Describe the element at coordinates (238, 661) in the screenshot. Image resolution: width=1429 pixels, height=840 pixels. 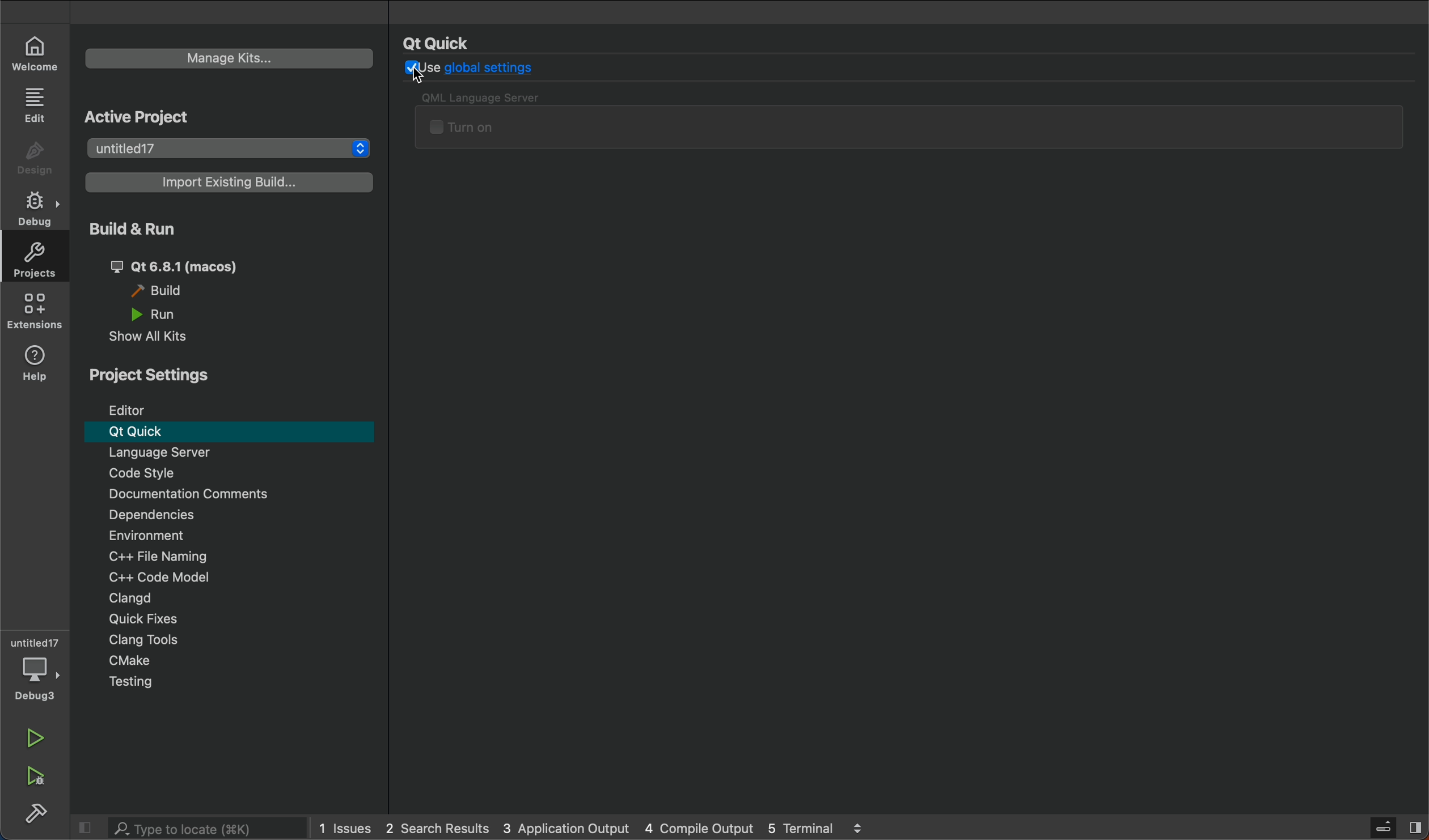
I see `cmake` at that location.